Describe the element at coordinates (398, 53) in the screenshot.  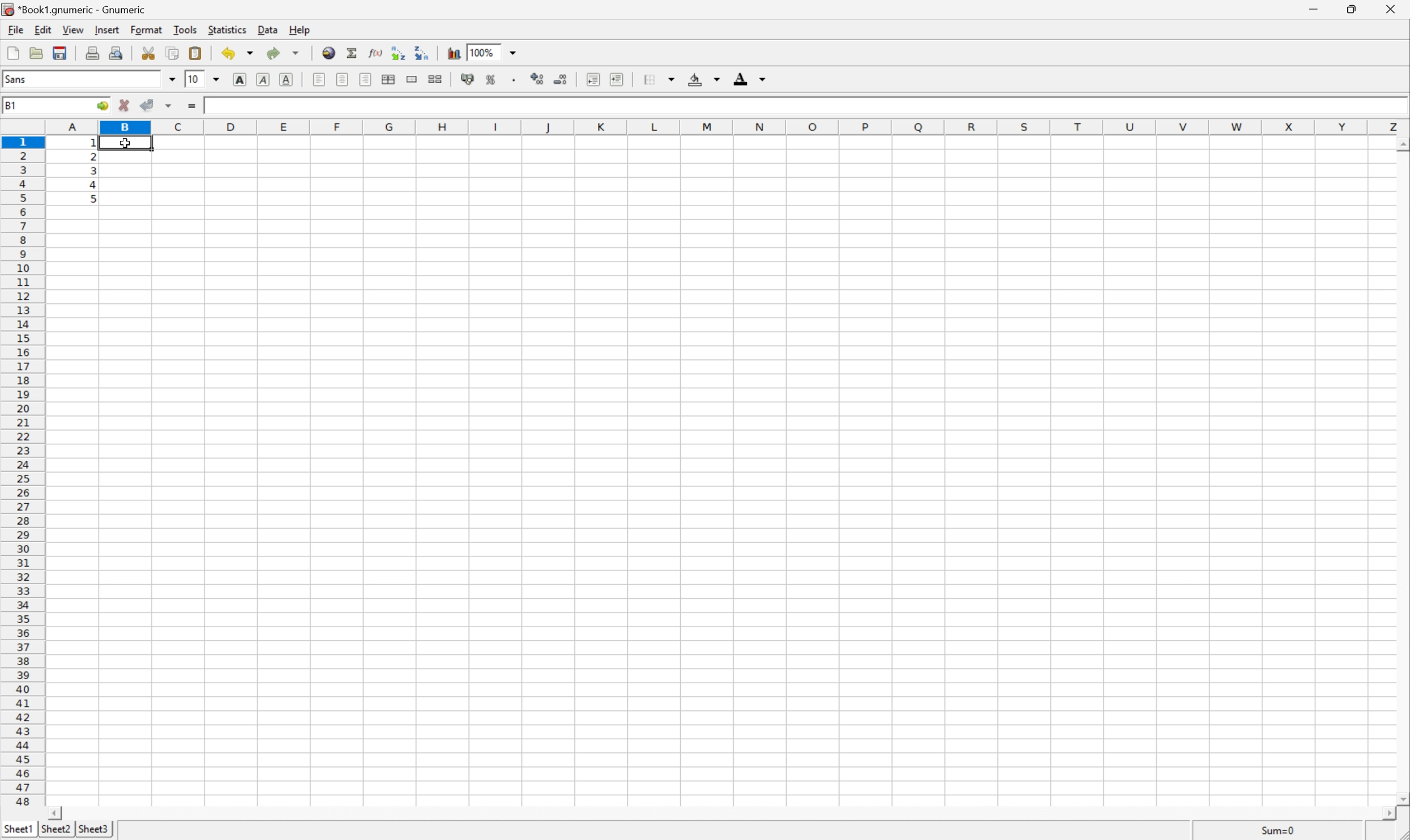
I see `Sort the selected region in ascending order based on the first column selected` at that location.